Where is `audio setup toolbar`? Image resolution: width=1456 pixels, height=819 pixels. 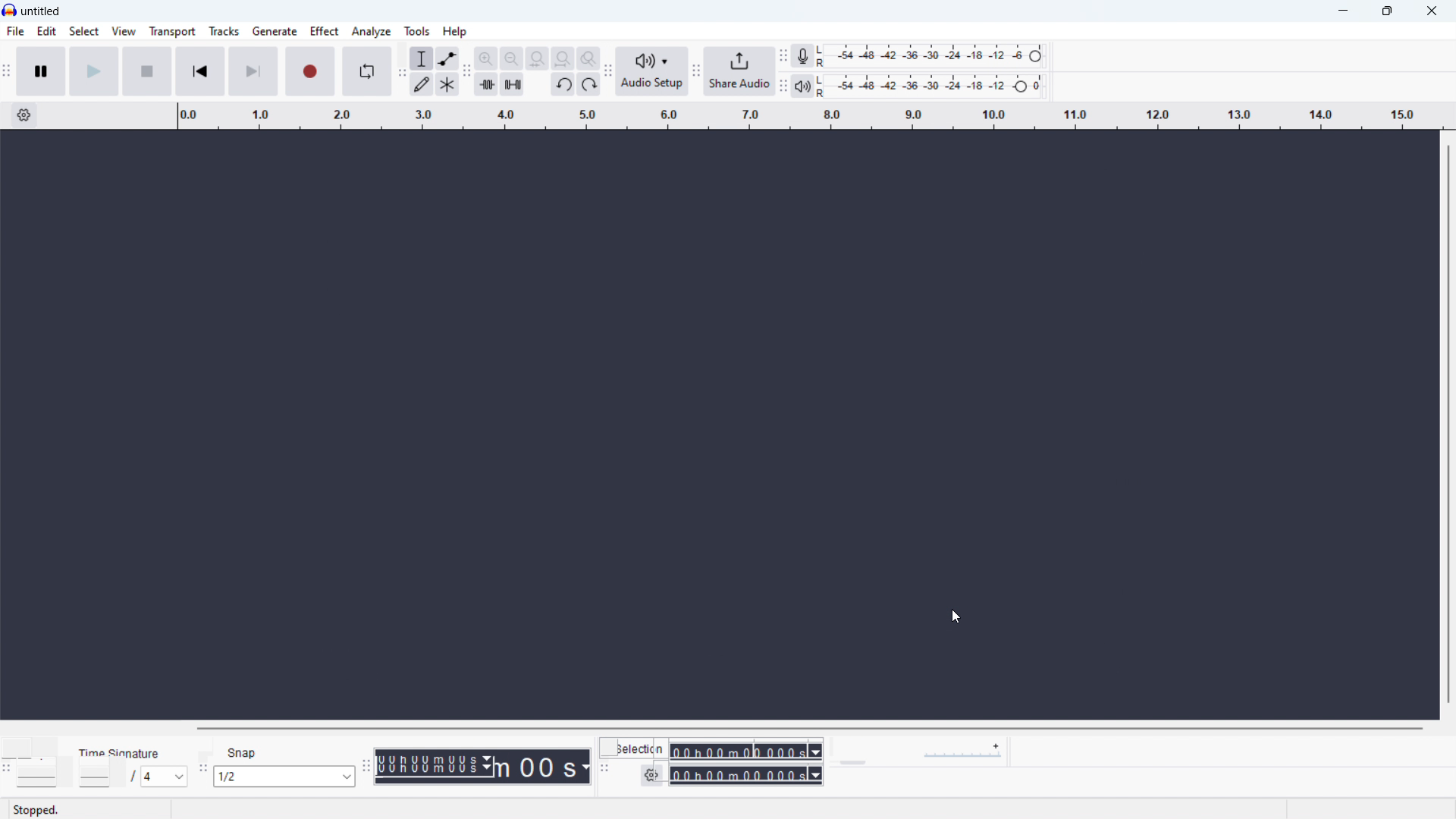 audio setup toolbar is located at coordinates (607, 71).